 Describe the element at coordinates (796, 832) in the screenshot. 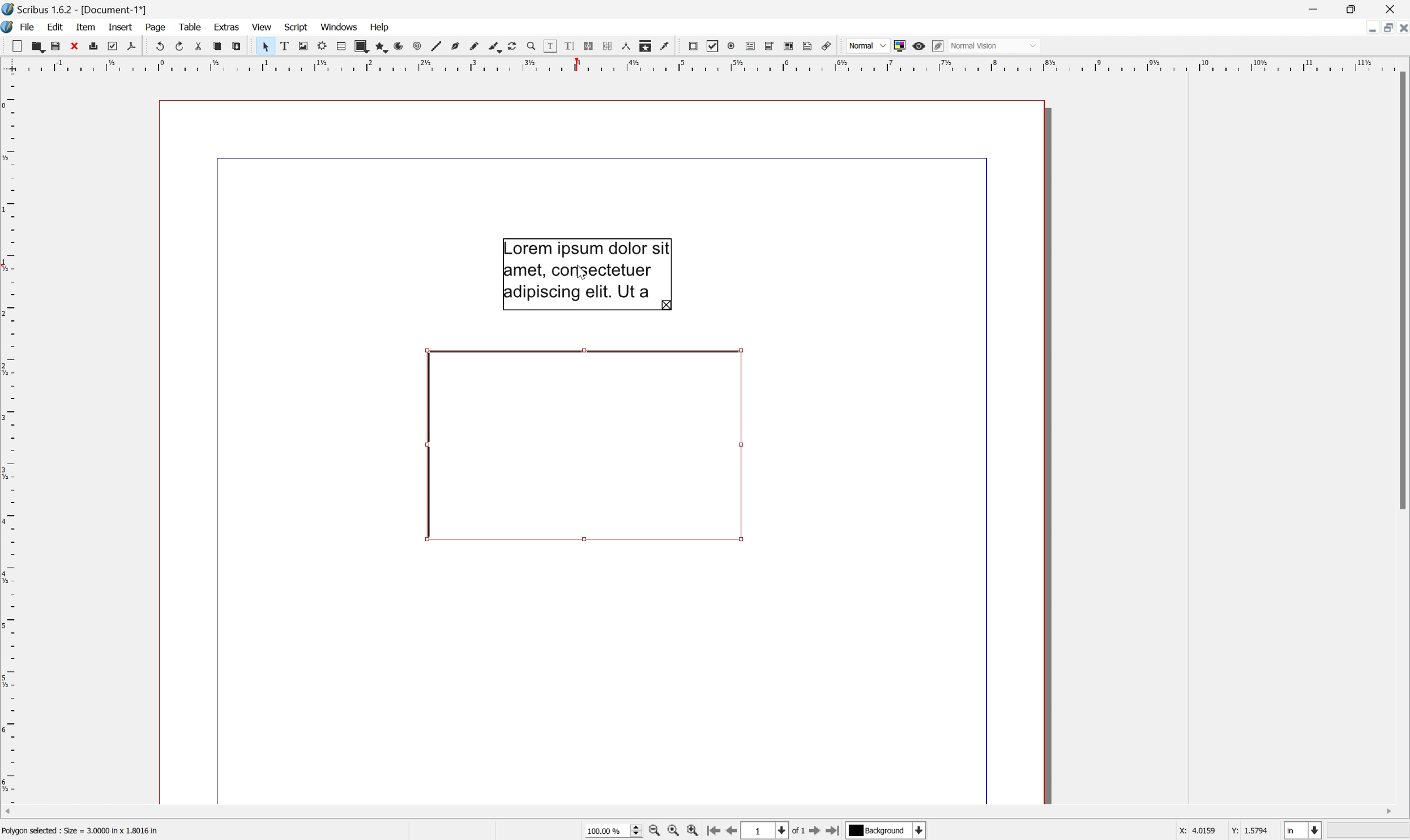

I see `of 1` at that location.